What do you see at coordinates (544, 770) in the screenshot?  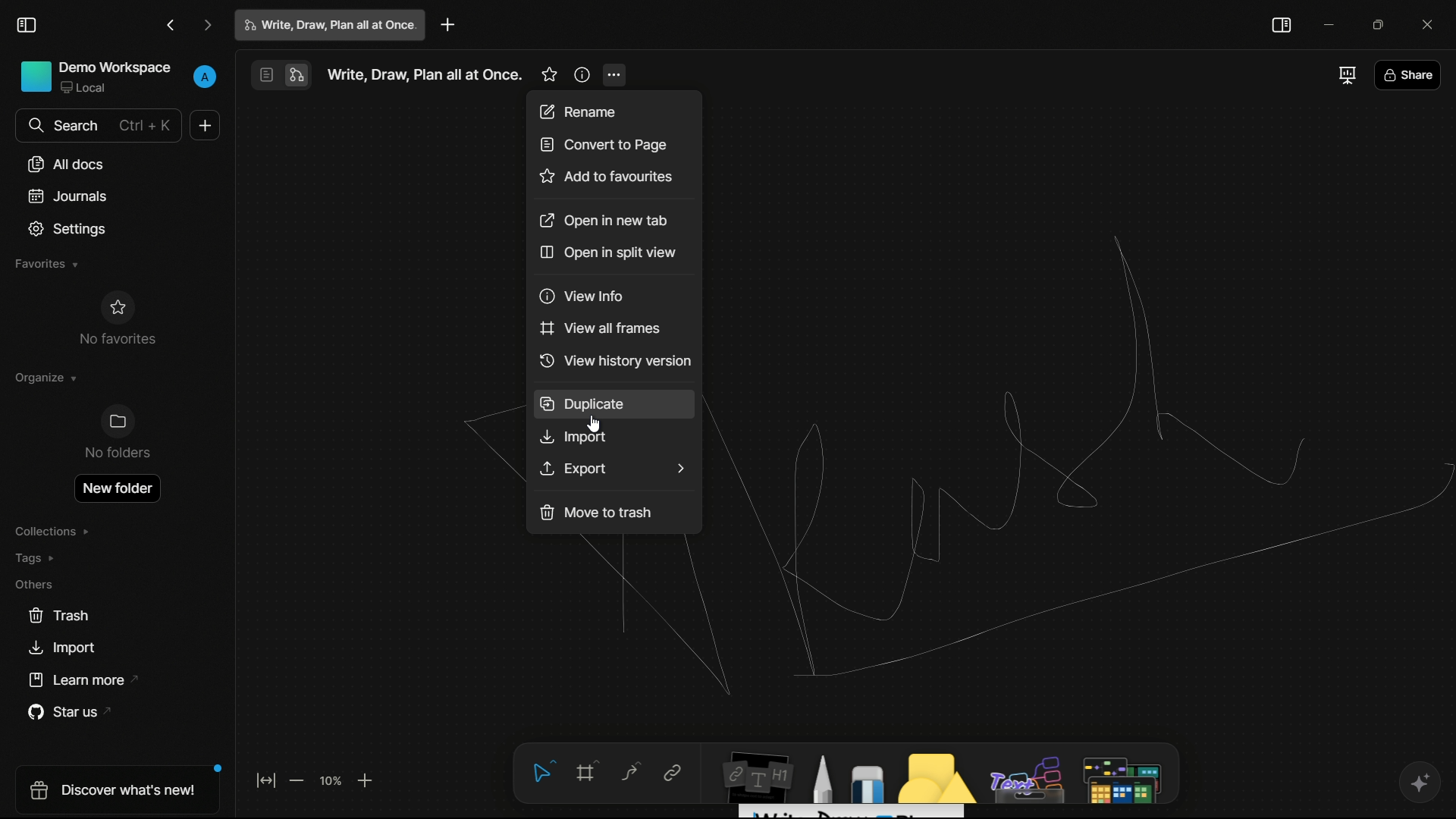 I see `select` at bounding box center [544, 770].